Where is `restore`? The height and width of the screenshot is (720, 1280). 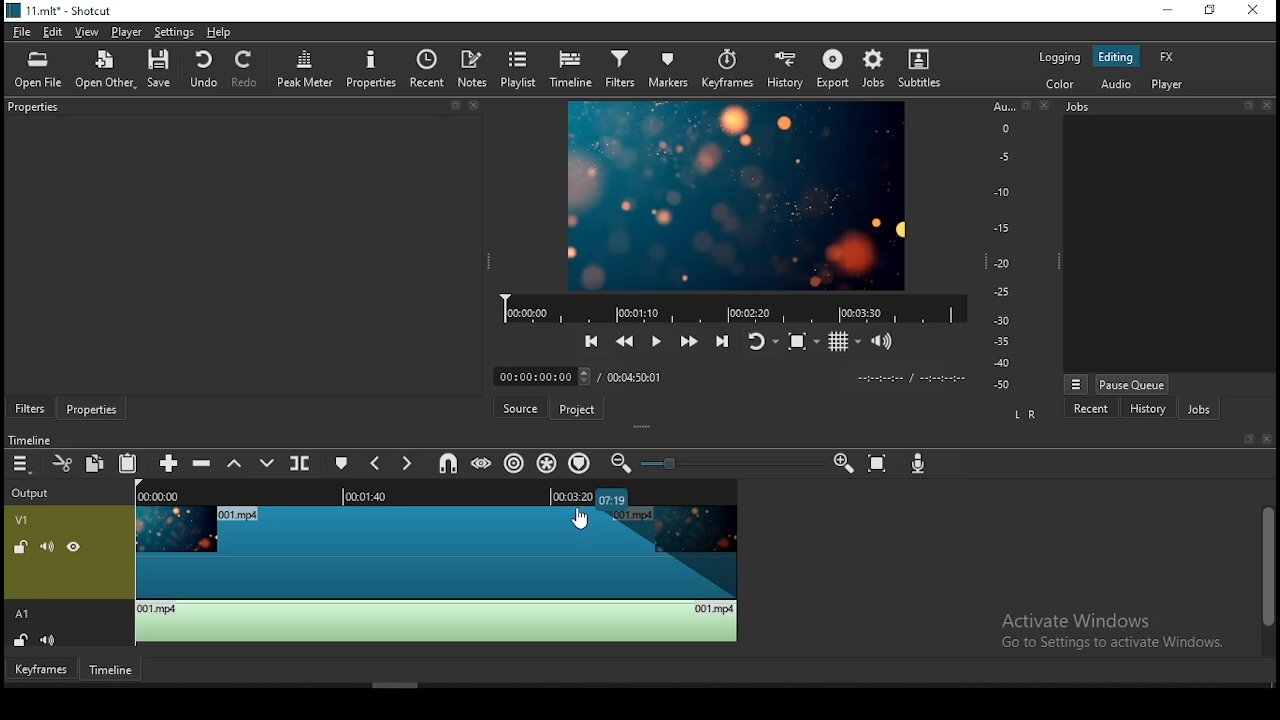
restore is located at coordinates (1210, 11).